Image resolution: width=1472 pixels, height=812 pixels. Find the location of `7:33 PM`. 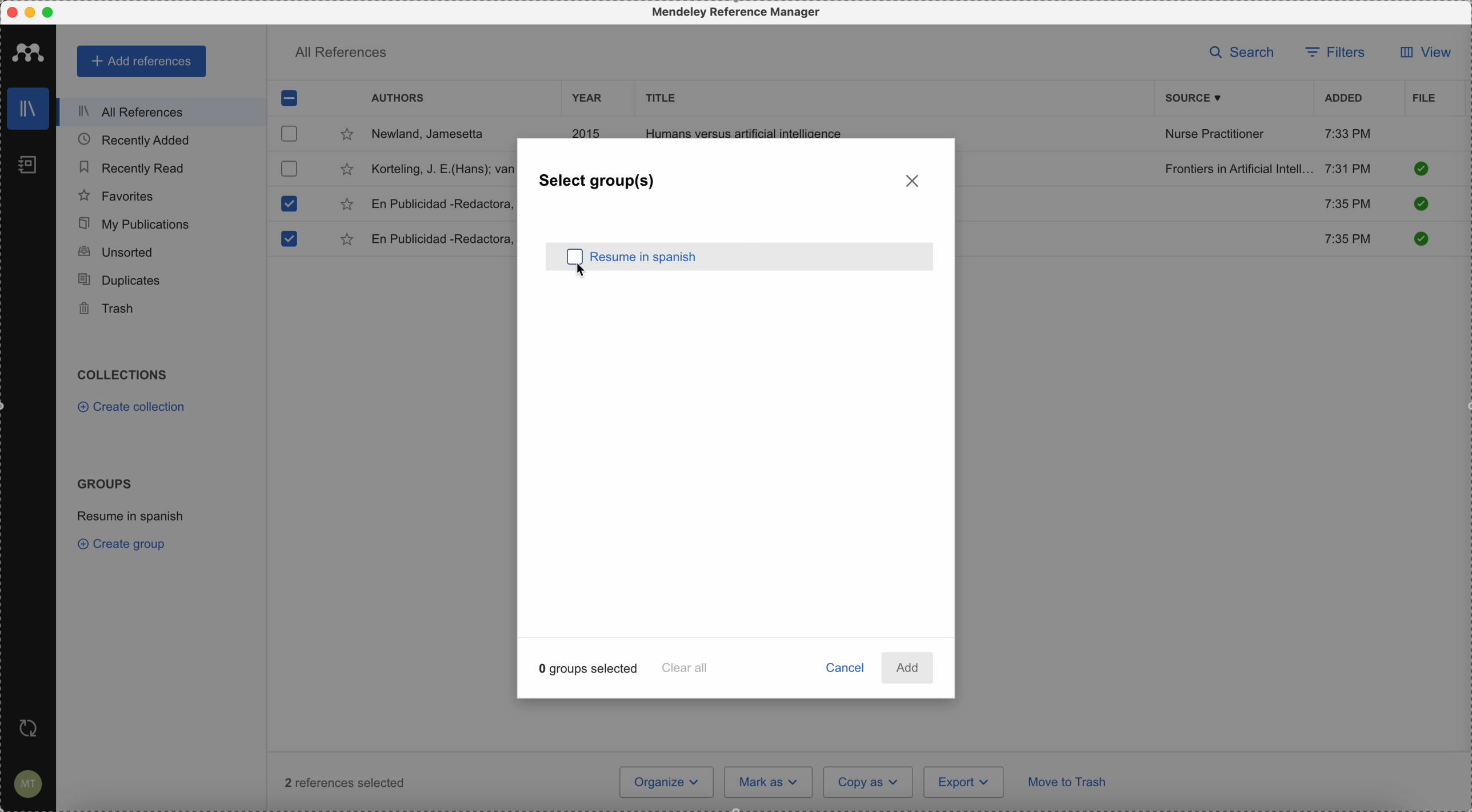

7:33 PM is located at coordinates (1348, 133).